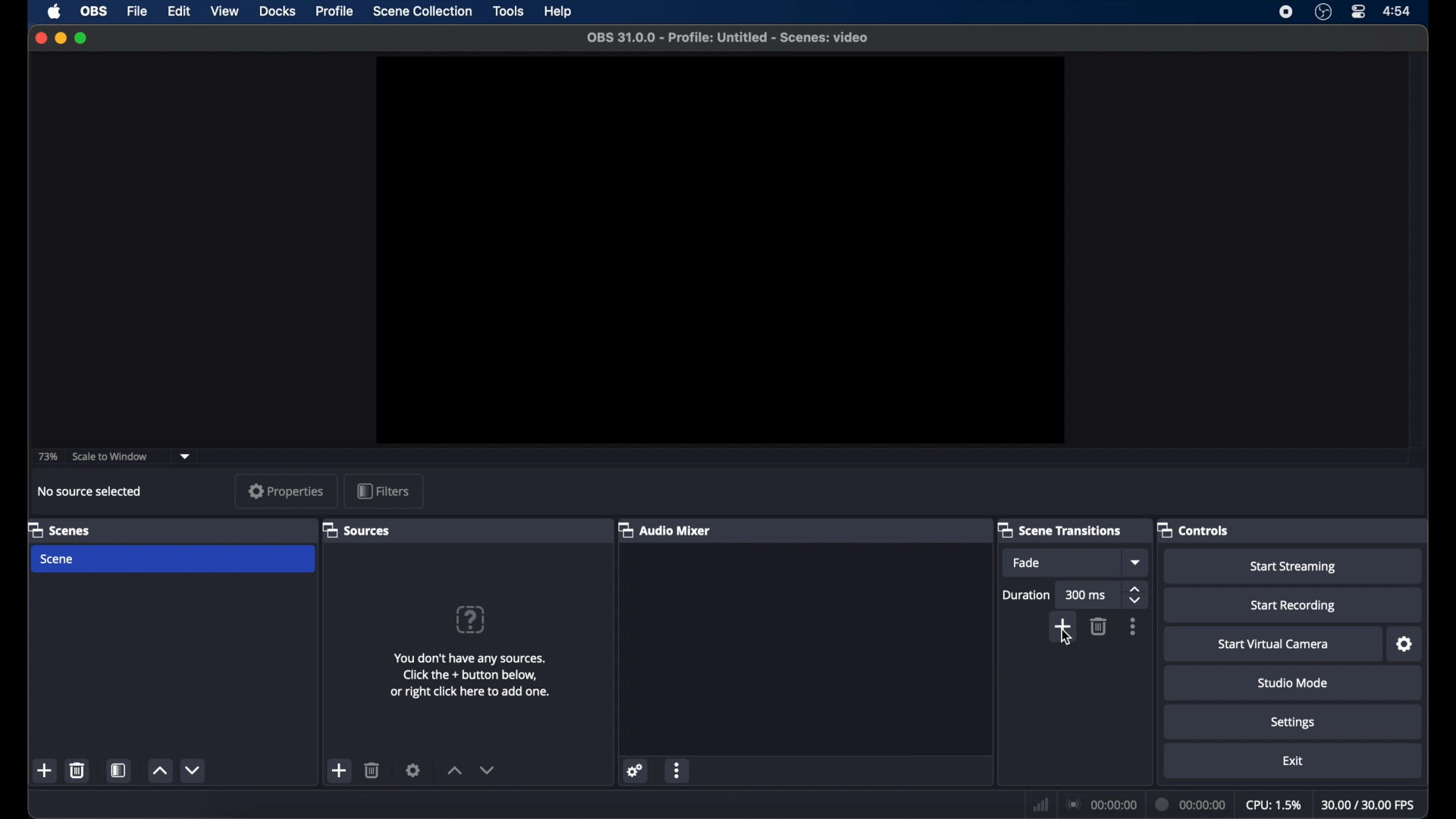 This screenshot has width=1456, height=819. Describe the element at coordinates (340, 770) in the screenshot. I see `add` at that location.